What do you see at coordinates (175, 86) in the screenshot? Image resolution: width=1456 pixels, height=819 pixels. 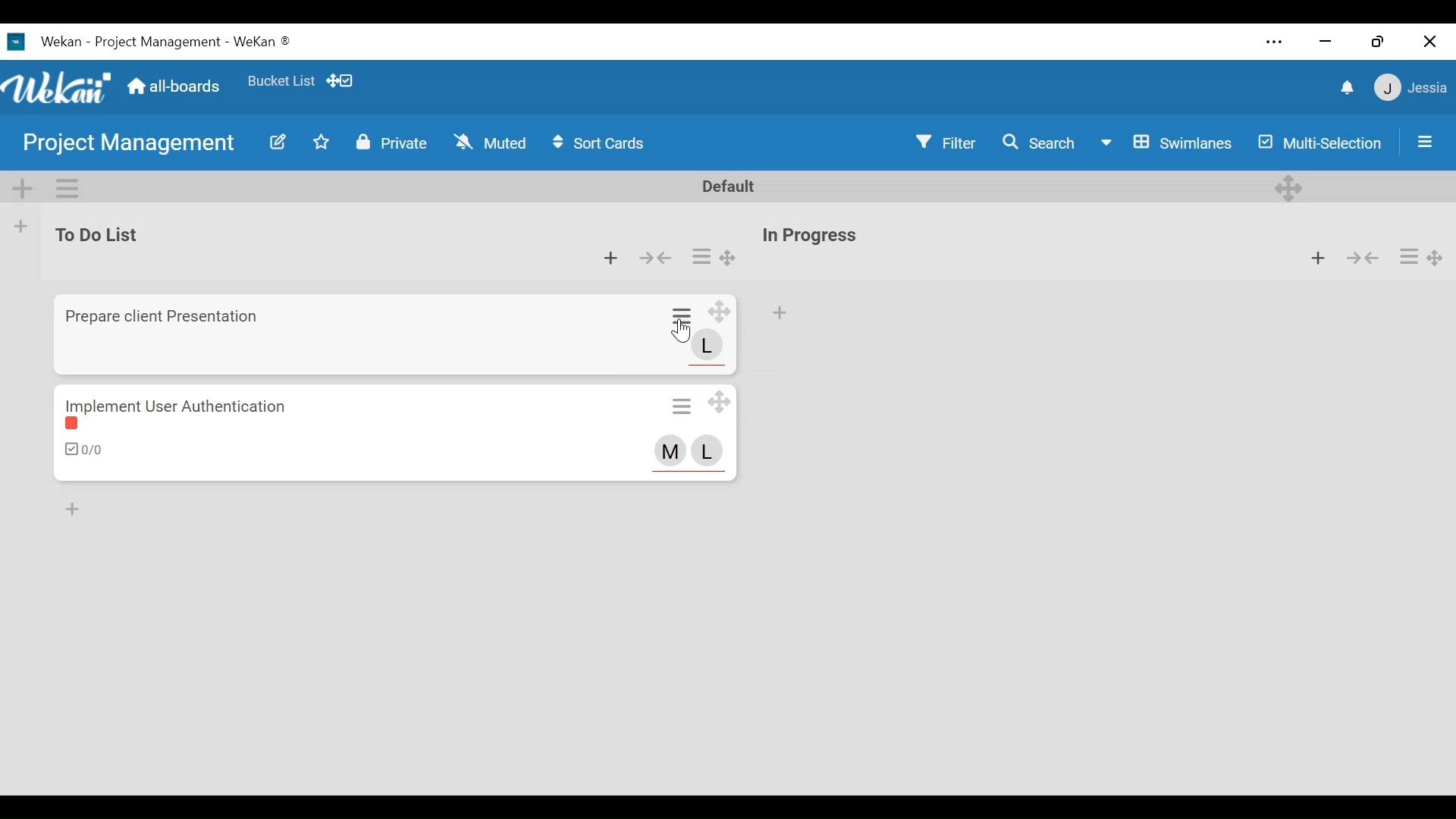 I see `Home (all-boards)` at bounding box center [175, 86].